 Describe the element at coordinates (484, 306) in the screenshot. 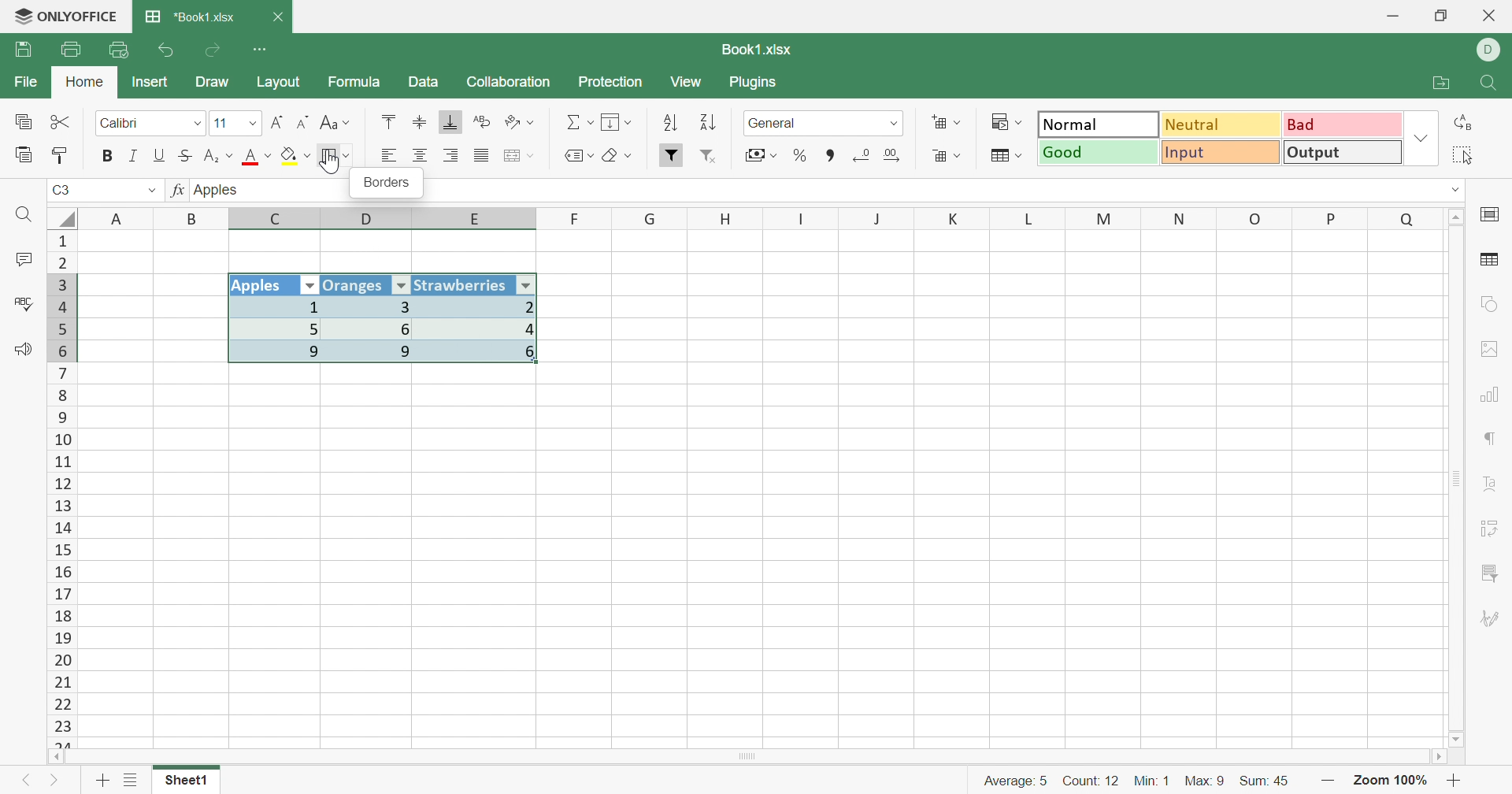

I see `2` at that location.